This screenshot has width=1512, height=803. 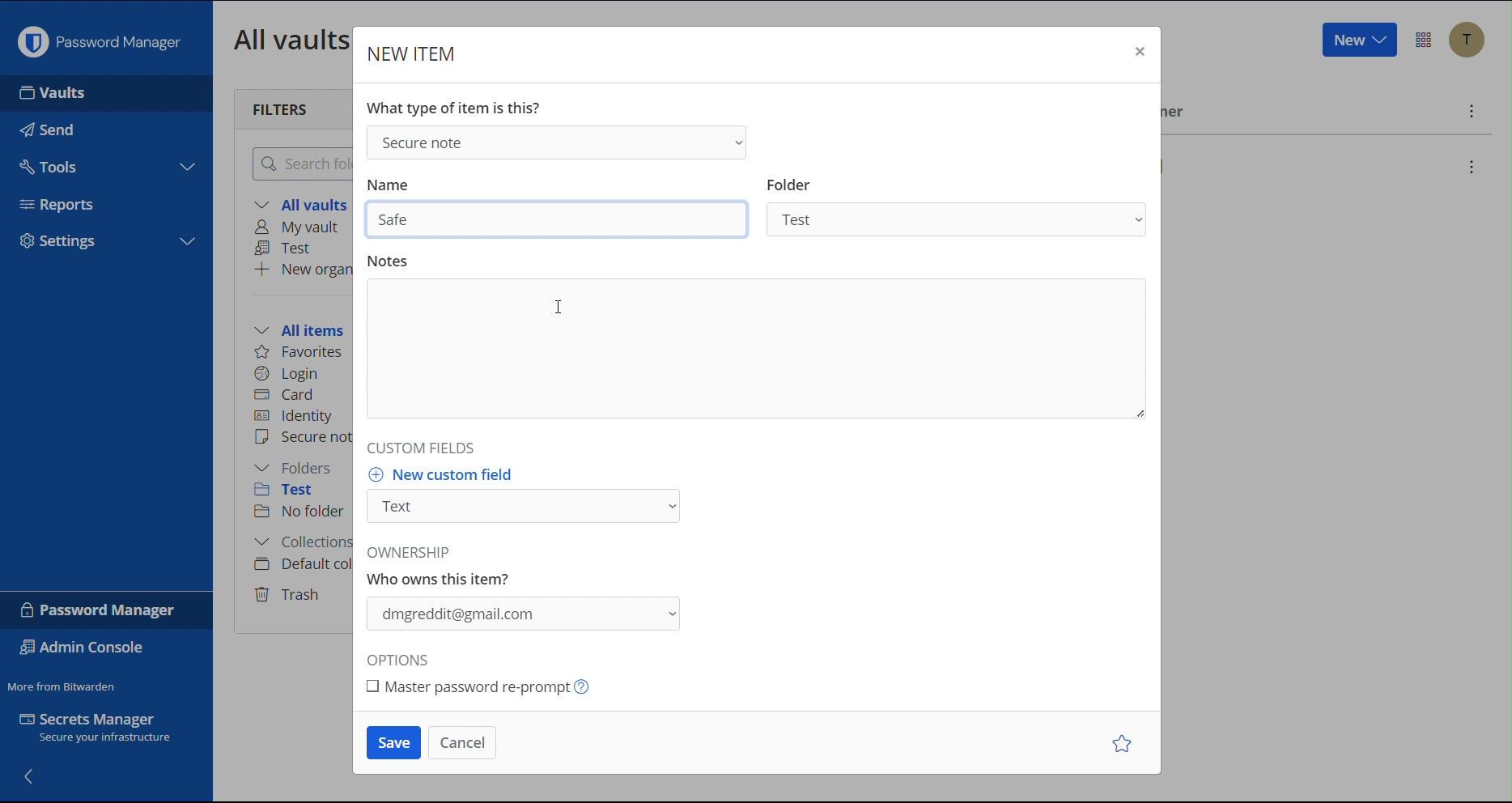 What do you see at coordinates (462, 742) in the screenshot?
I see `Cancel` at bounding box center [462, 742].